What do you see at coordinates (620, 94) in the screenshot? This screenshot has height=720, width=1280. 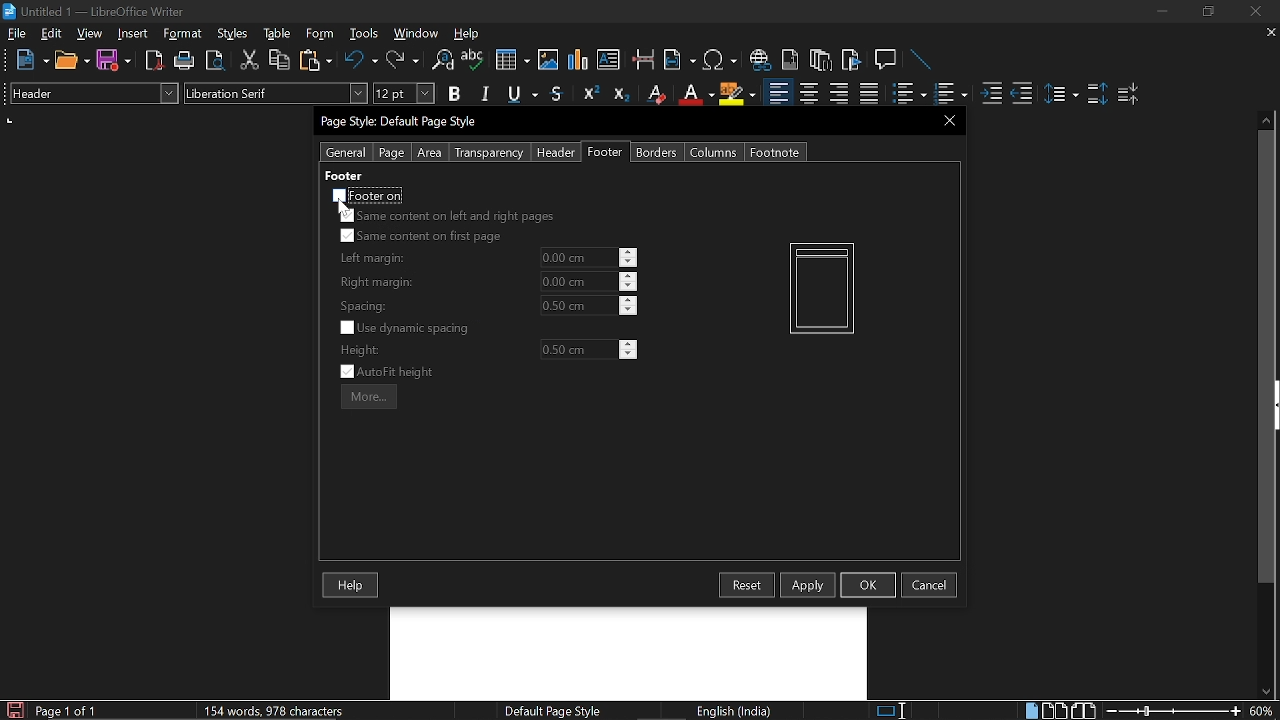 I see `Subscript` at bounding box center [620, 94].